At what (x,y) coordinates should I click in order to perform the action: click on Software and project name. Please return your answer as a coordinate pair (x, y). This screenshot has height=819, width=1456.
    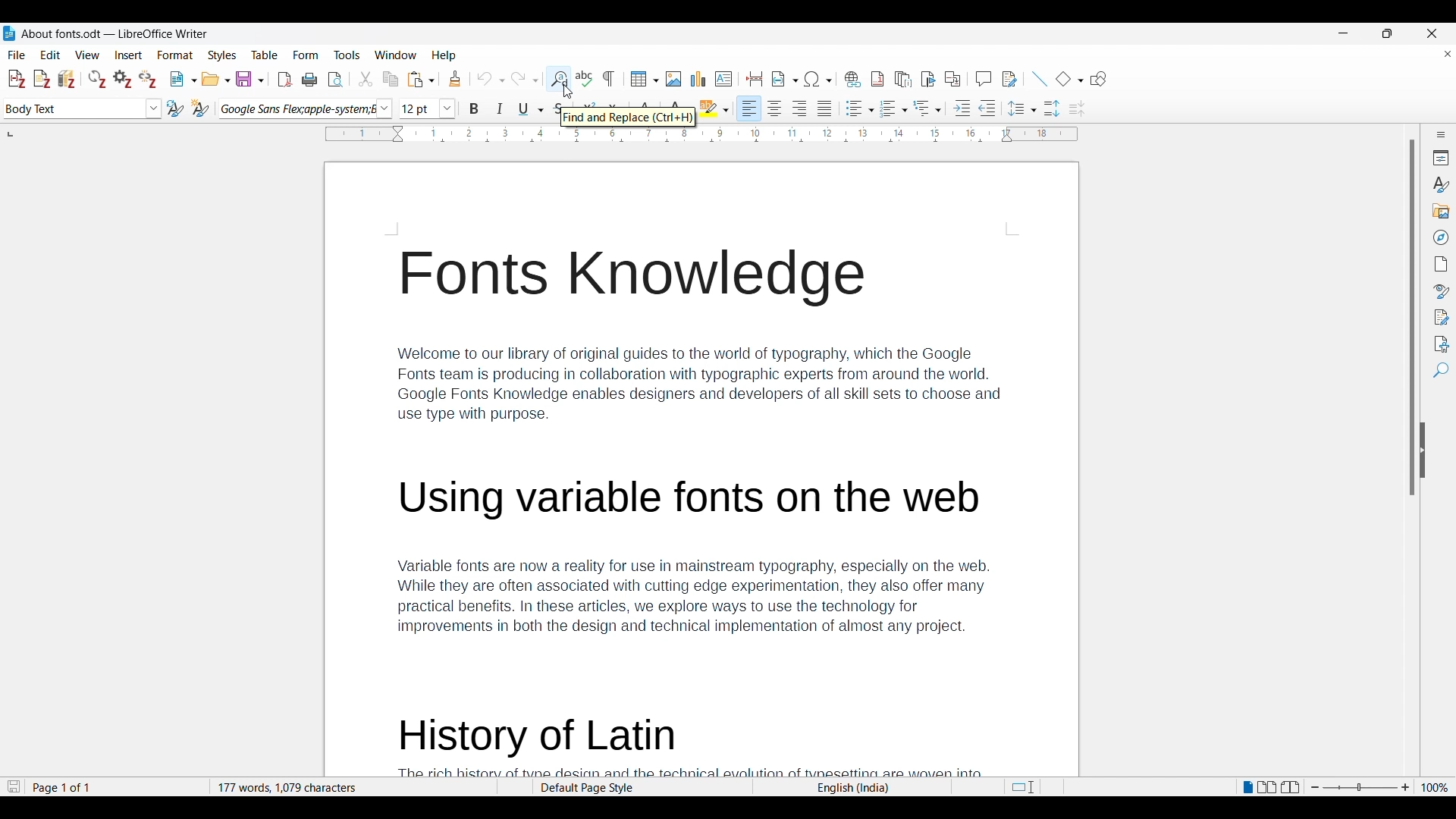
    Looking at the image, I should click on (115, 34).